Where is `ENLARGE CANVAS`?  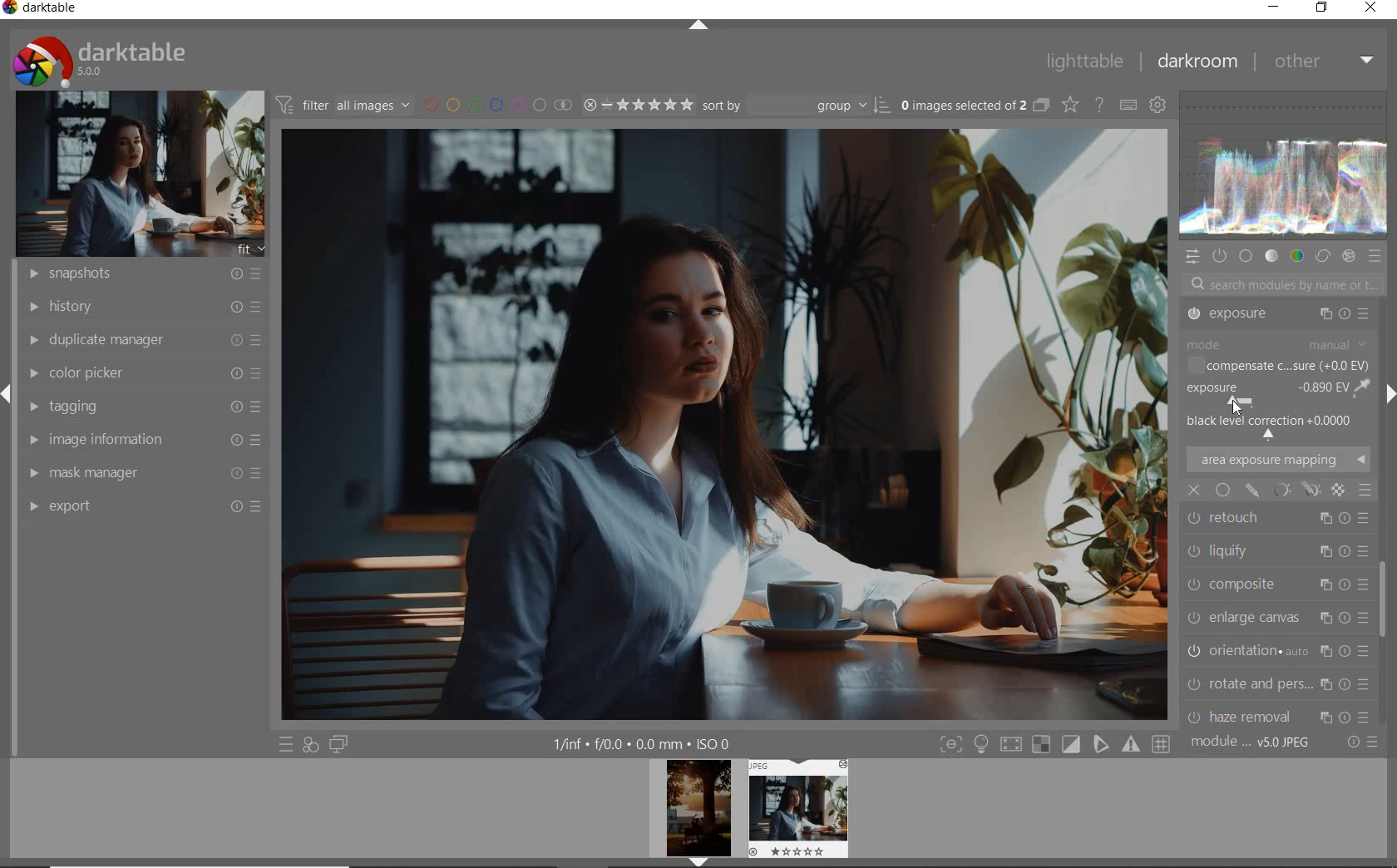
ENLARGE CANVAS is located at coordinates (1277, 514).